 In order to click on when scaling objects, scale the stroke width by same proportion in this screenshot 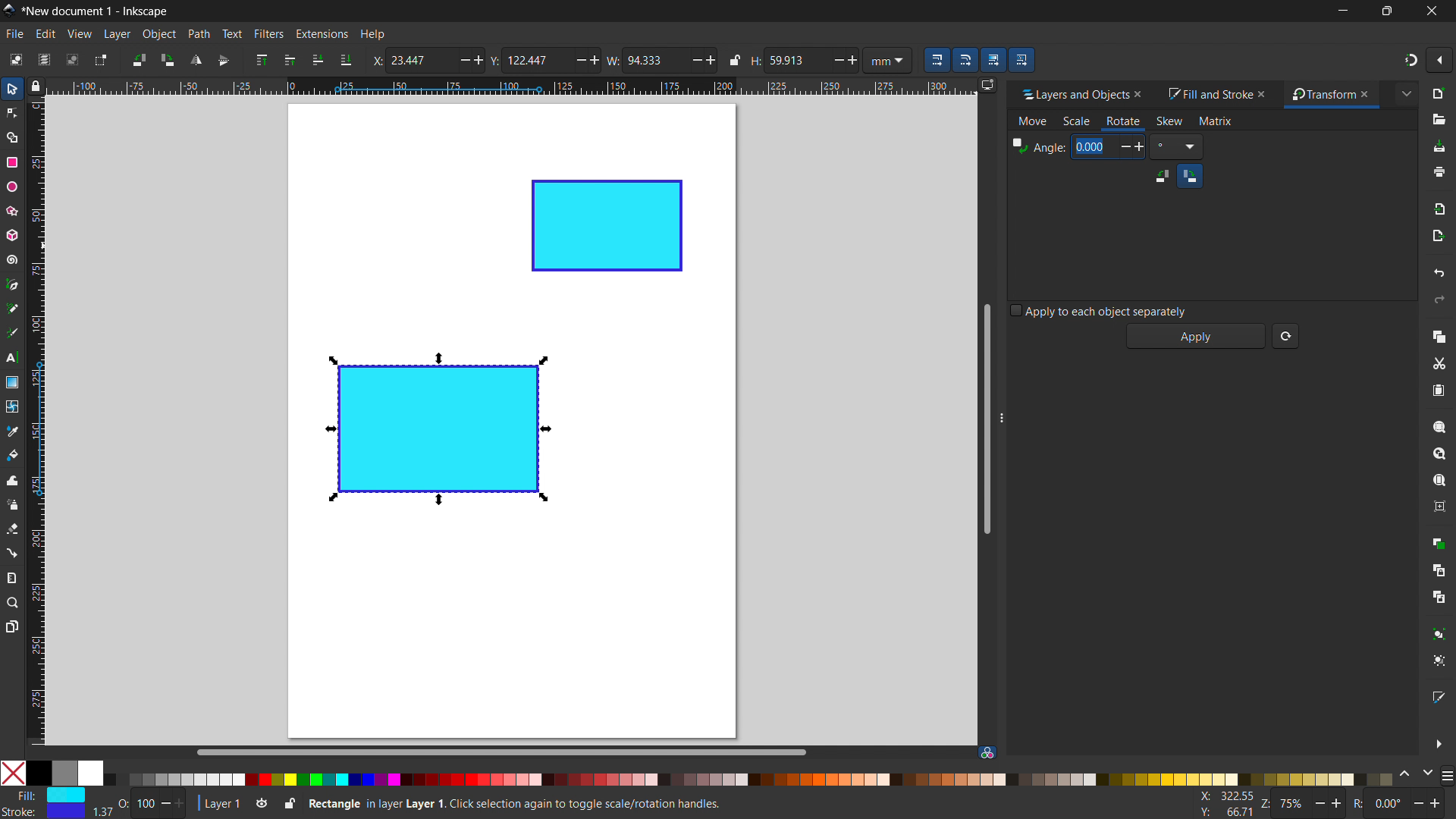, I will do `click(937, 60)`.